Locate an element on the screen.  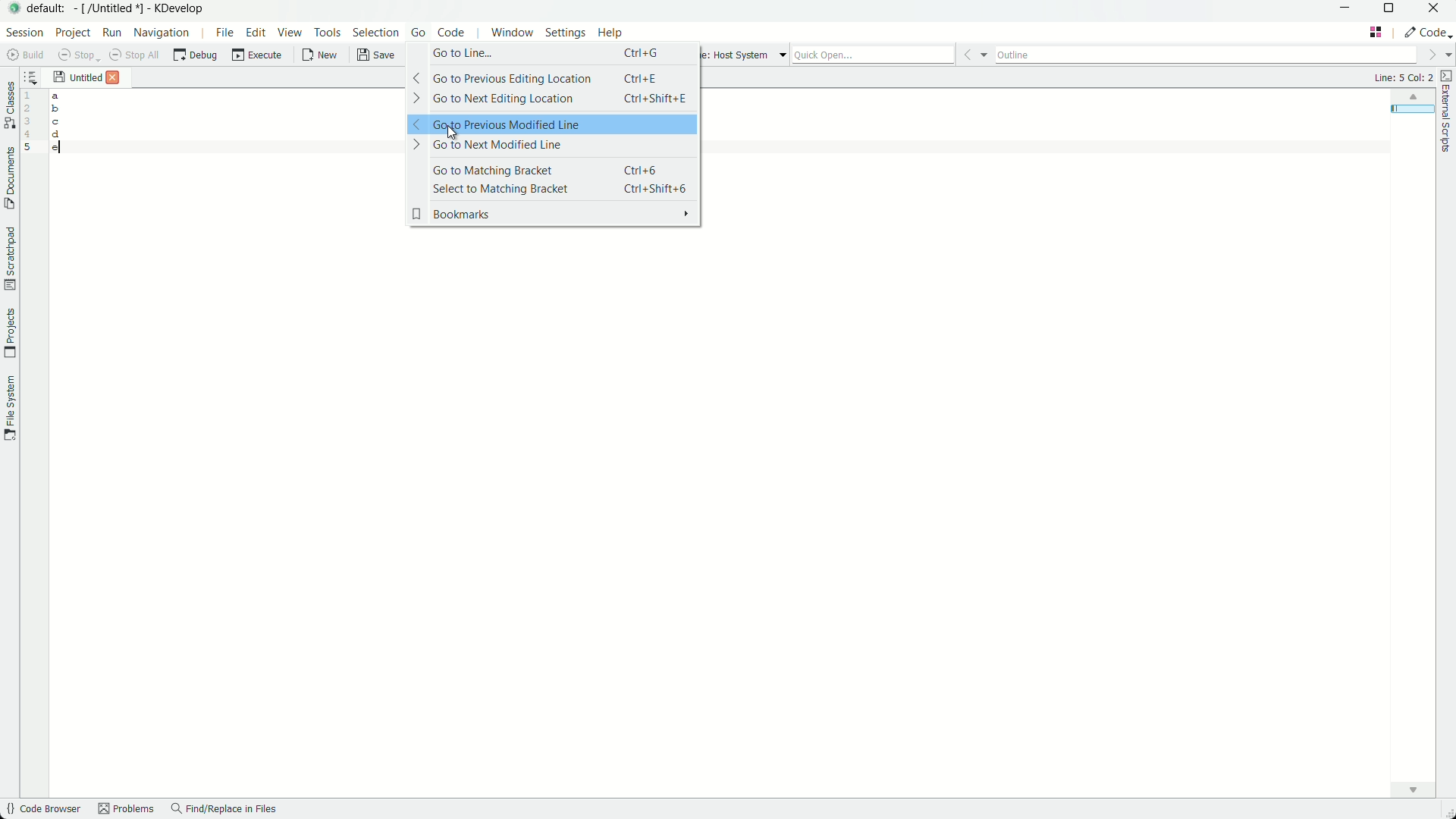
file system is located at coordinates (10, 411).